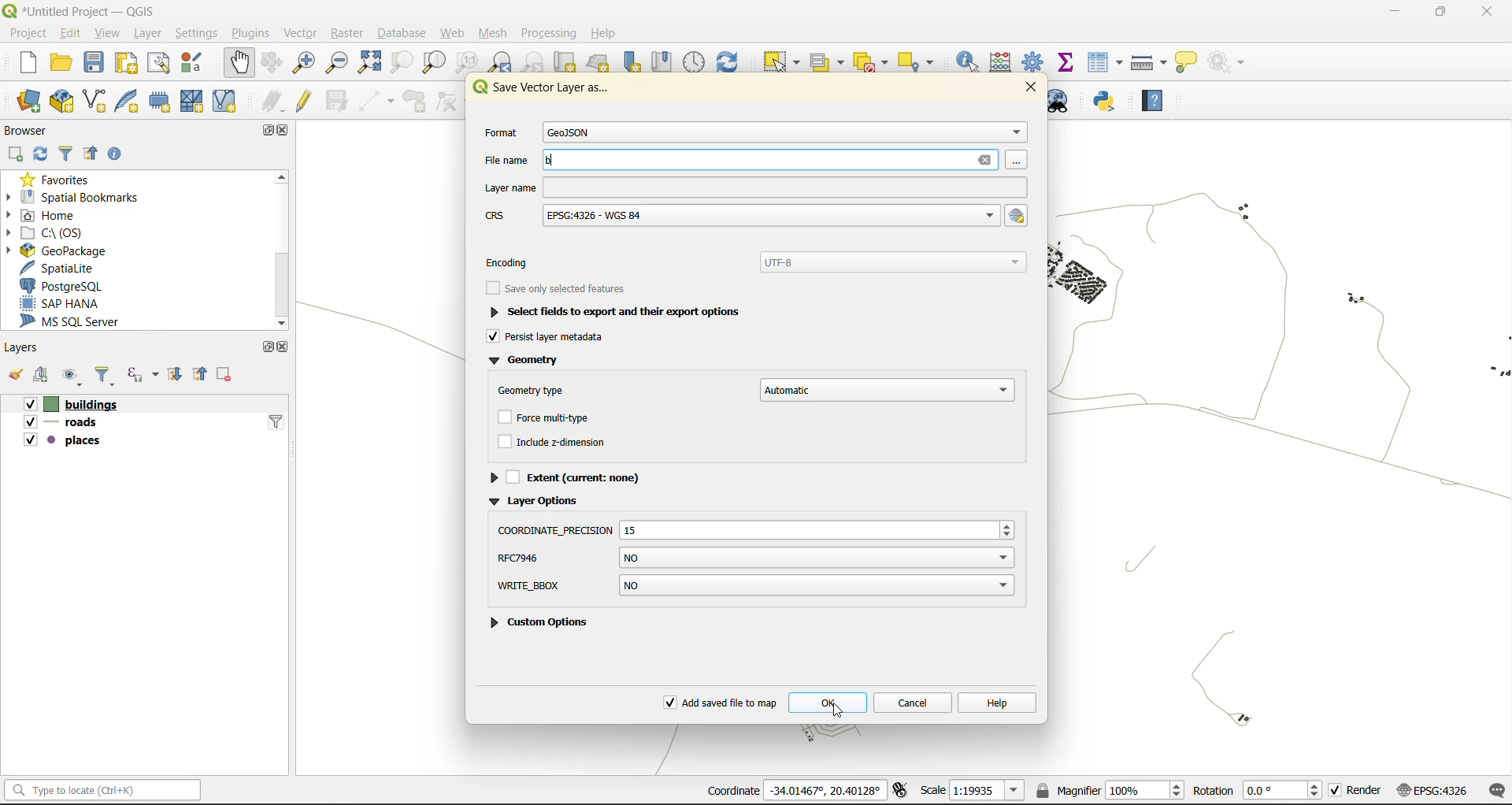 This screenshot has height=805, width=1512. What do you see at coordinates (106, 791) in the screenshot?
I see `status  bar` at bounding box center [106, 791].